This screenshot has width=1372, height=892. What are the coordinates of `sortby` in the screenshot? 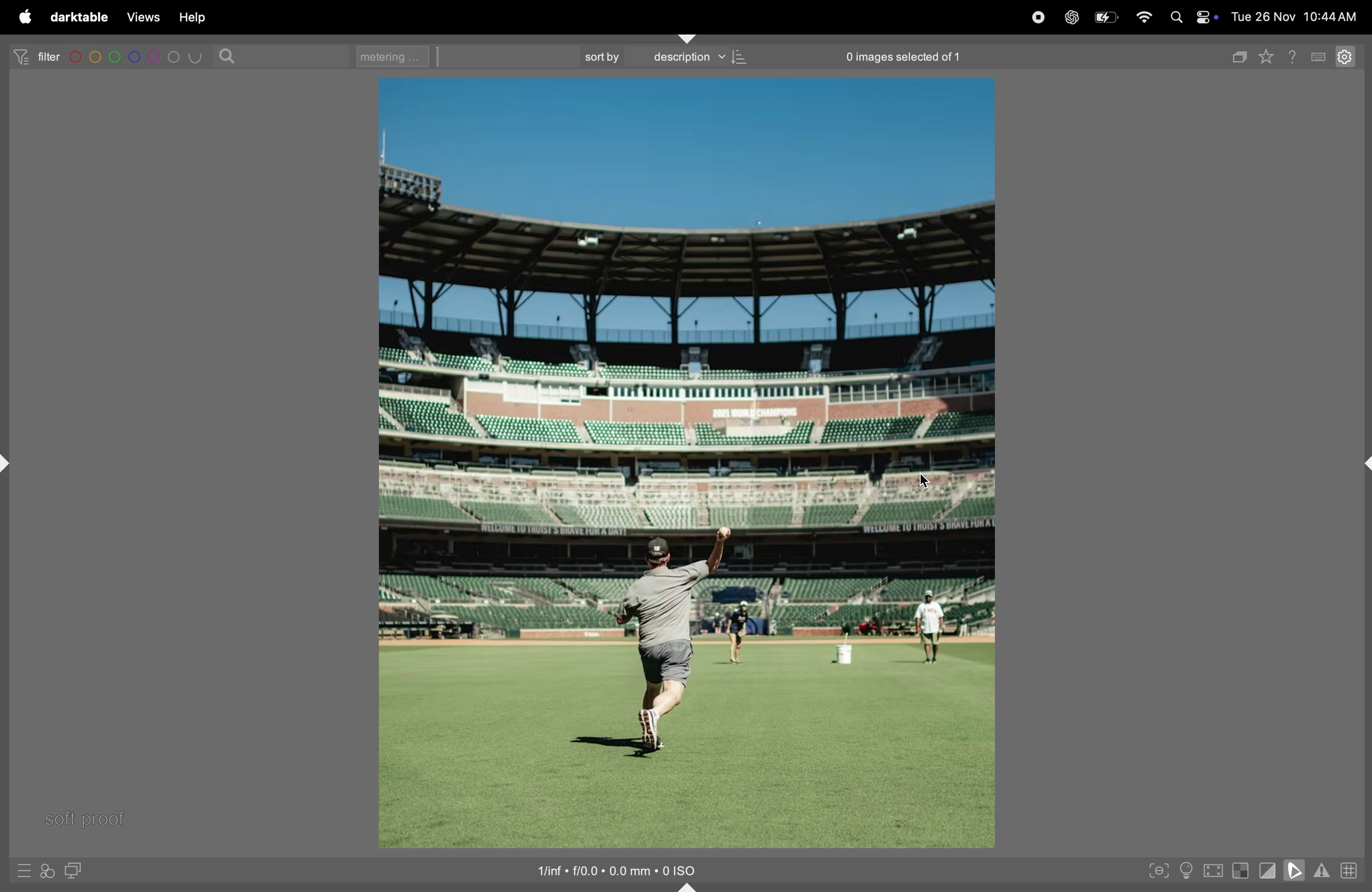 It's located at (599, 56).